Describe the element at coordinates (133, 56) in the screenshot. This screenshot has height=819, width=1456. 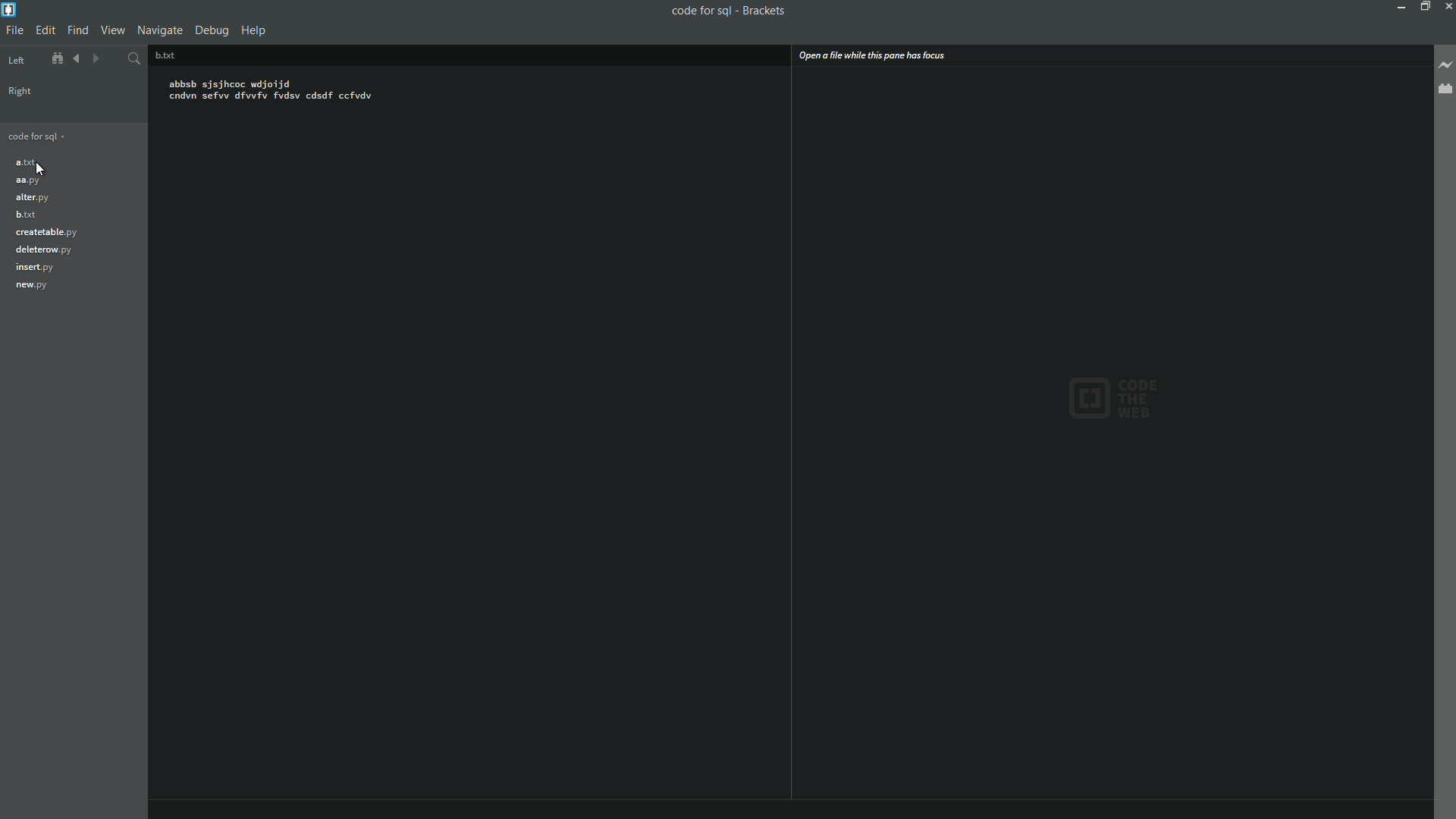
I see `Search` at that location.